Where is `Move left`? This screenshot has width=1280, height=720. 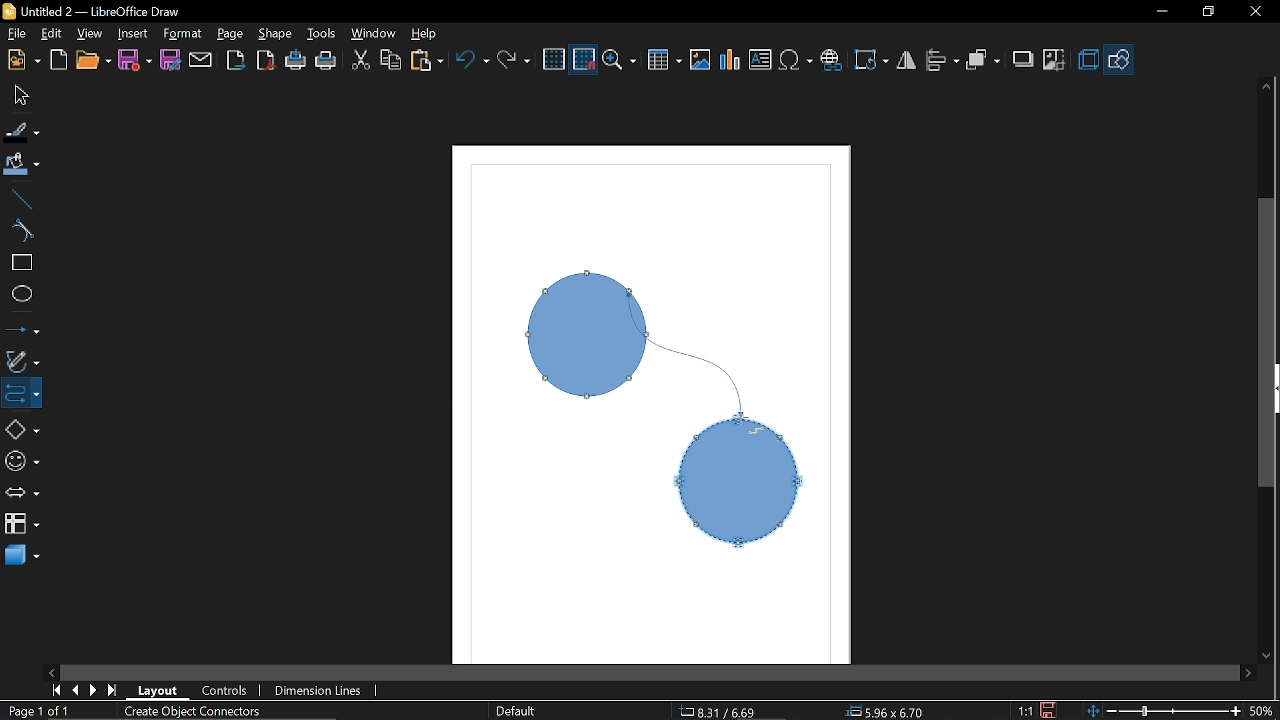
Move left is located at coordinates (51, 672).